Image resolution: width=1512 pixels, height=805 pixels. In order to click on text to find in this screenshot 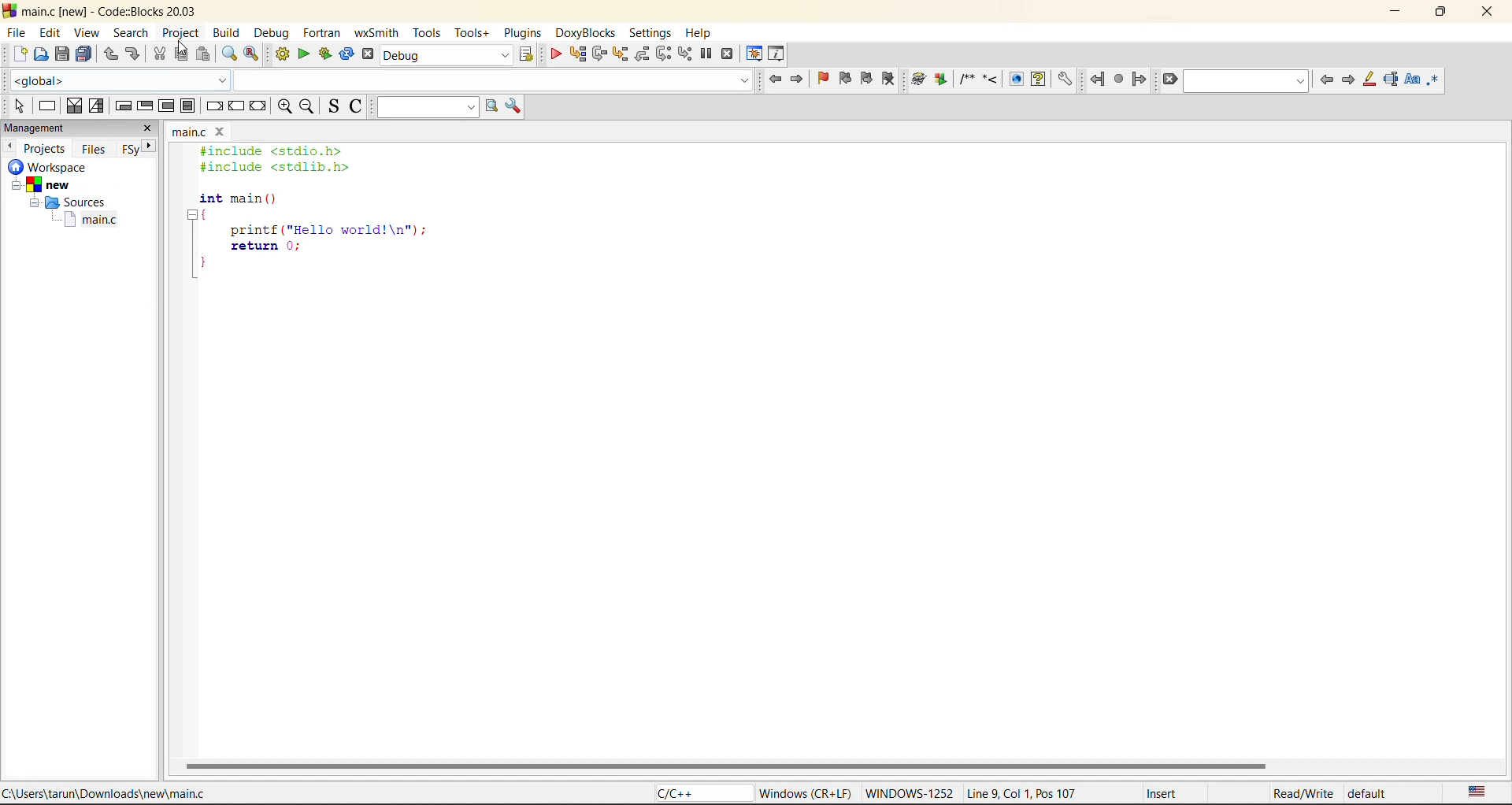, I will do `click(1247, 81)`.